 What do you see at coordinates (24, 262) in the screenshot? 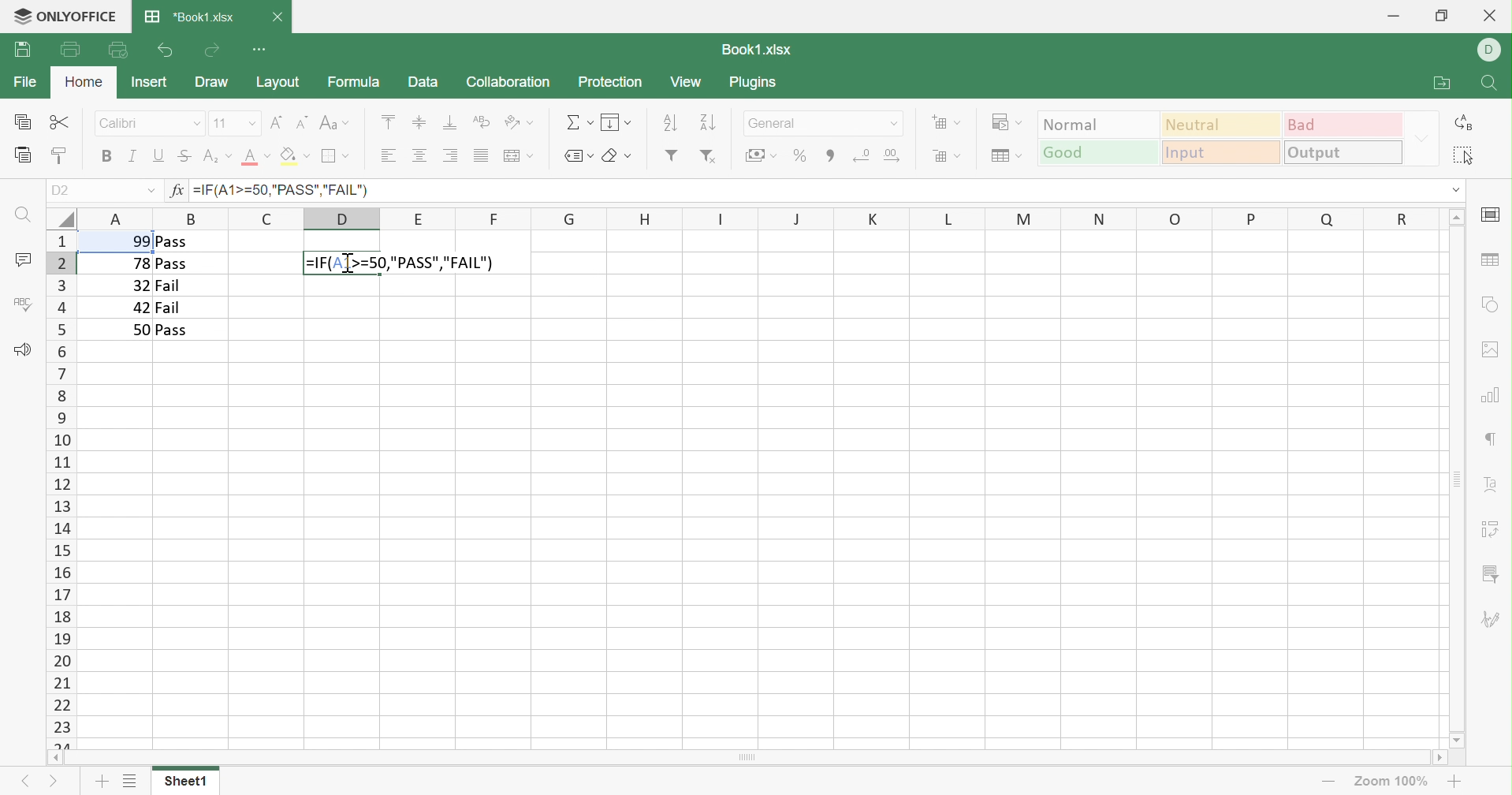
I see `Comments` at bounding box center [24, 262].